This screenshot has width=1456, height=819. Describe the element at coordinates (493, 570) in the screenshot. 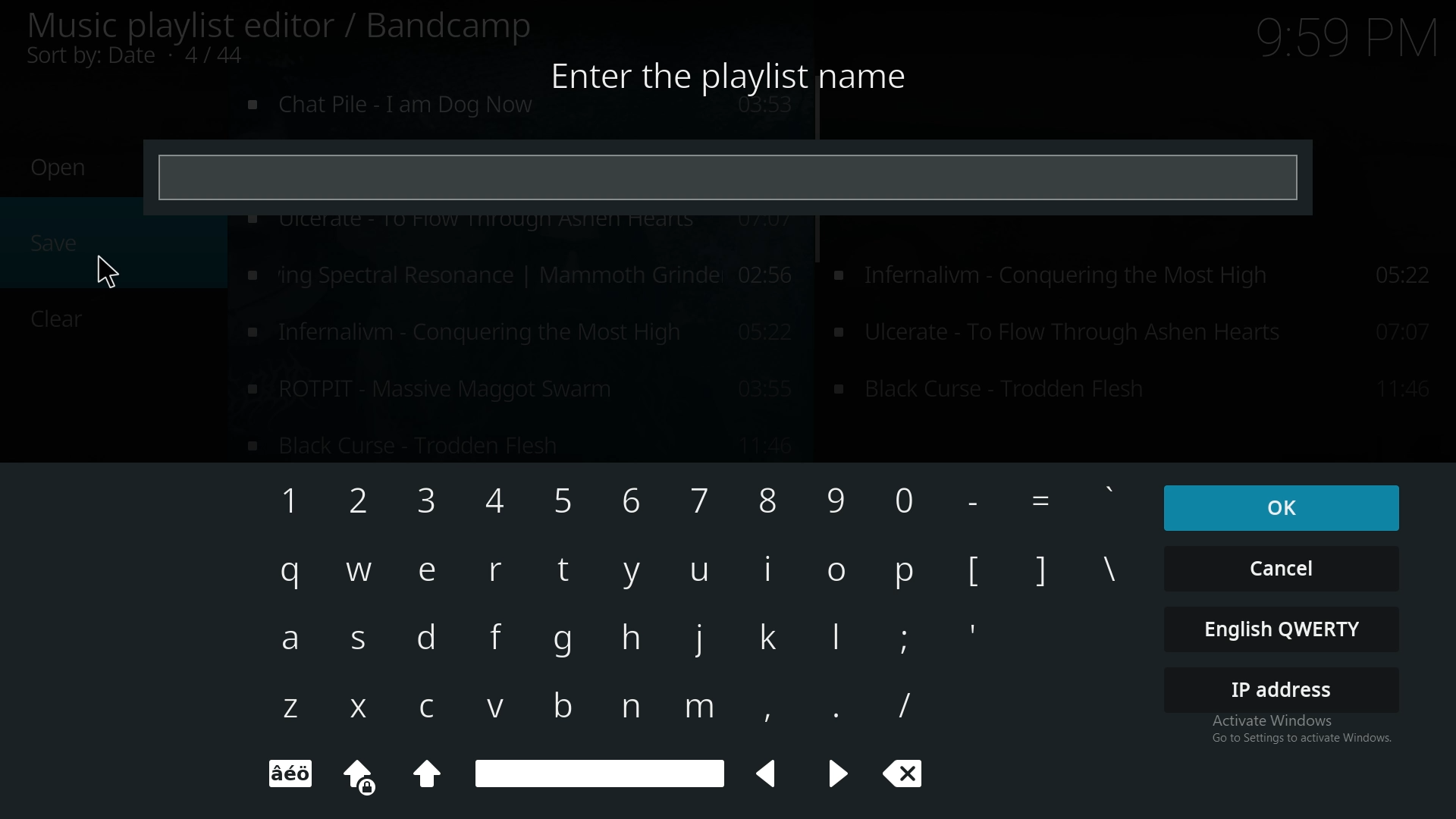

I see `keyboard input` at that location.